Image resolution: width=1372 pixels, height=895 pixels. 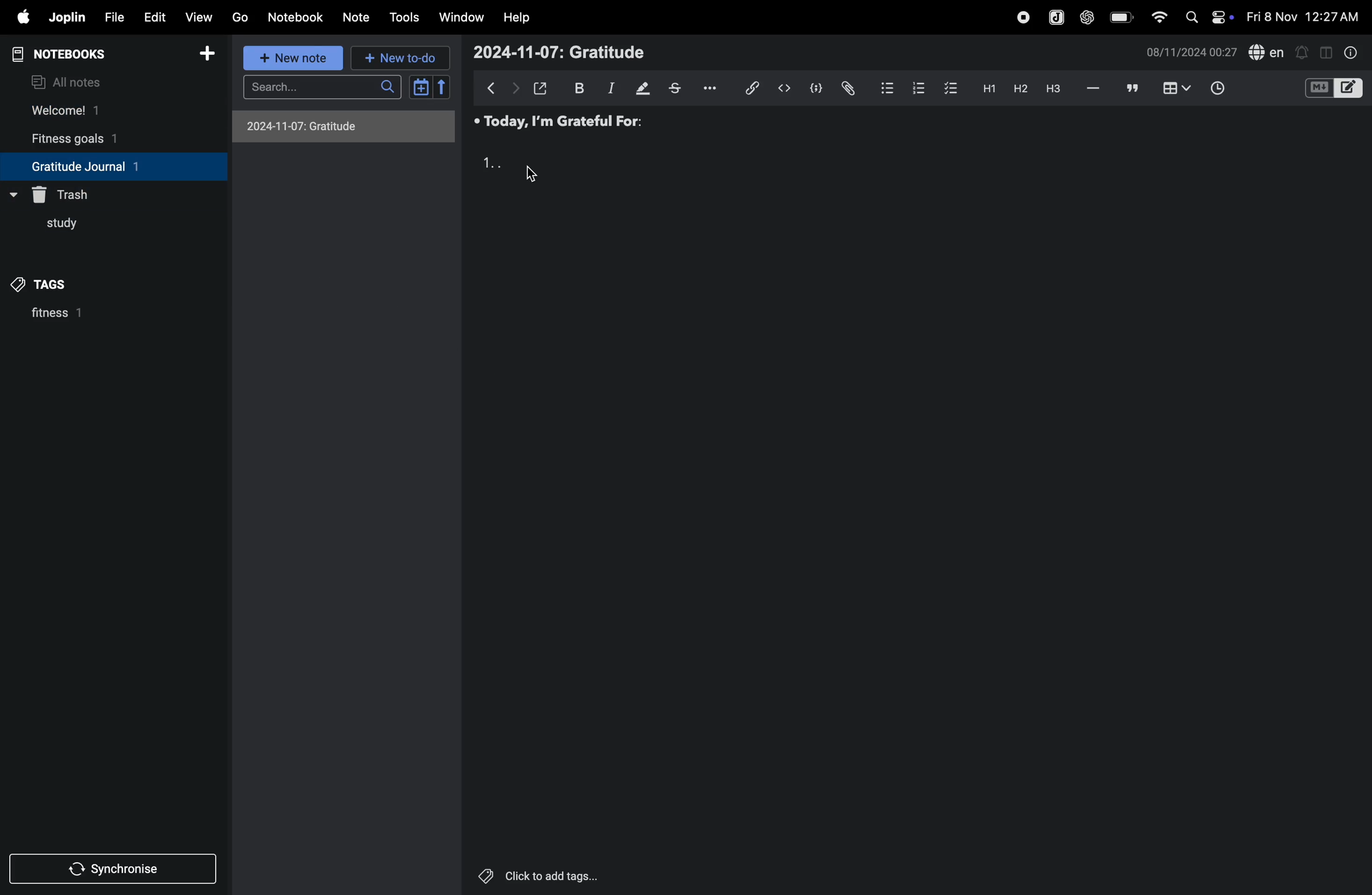 What do you see at coordinates (1021, 18) in the screenshot?
I see `record` at bounding box center [1021, 18].